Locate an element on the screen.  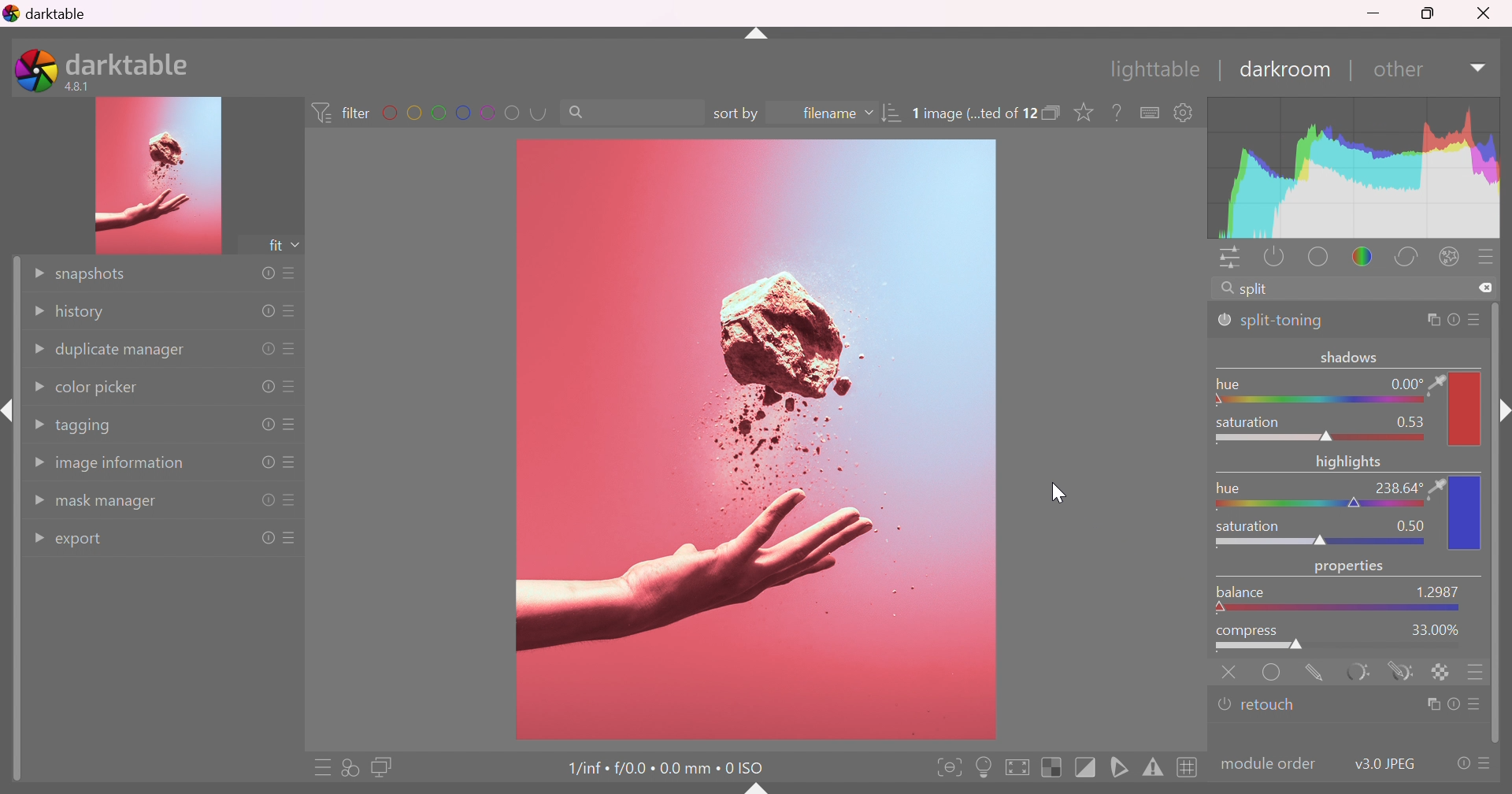
presets is located at coordinates (294, 349).